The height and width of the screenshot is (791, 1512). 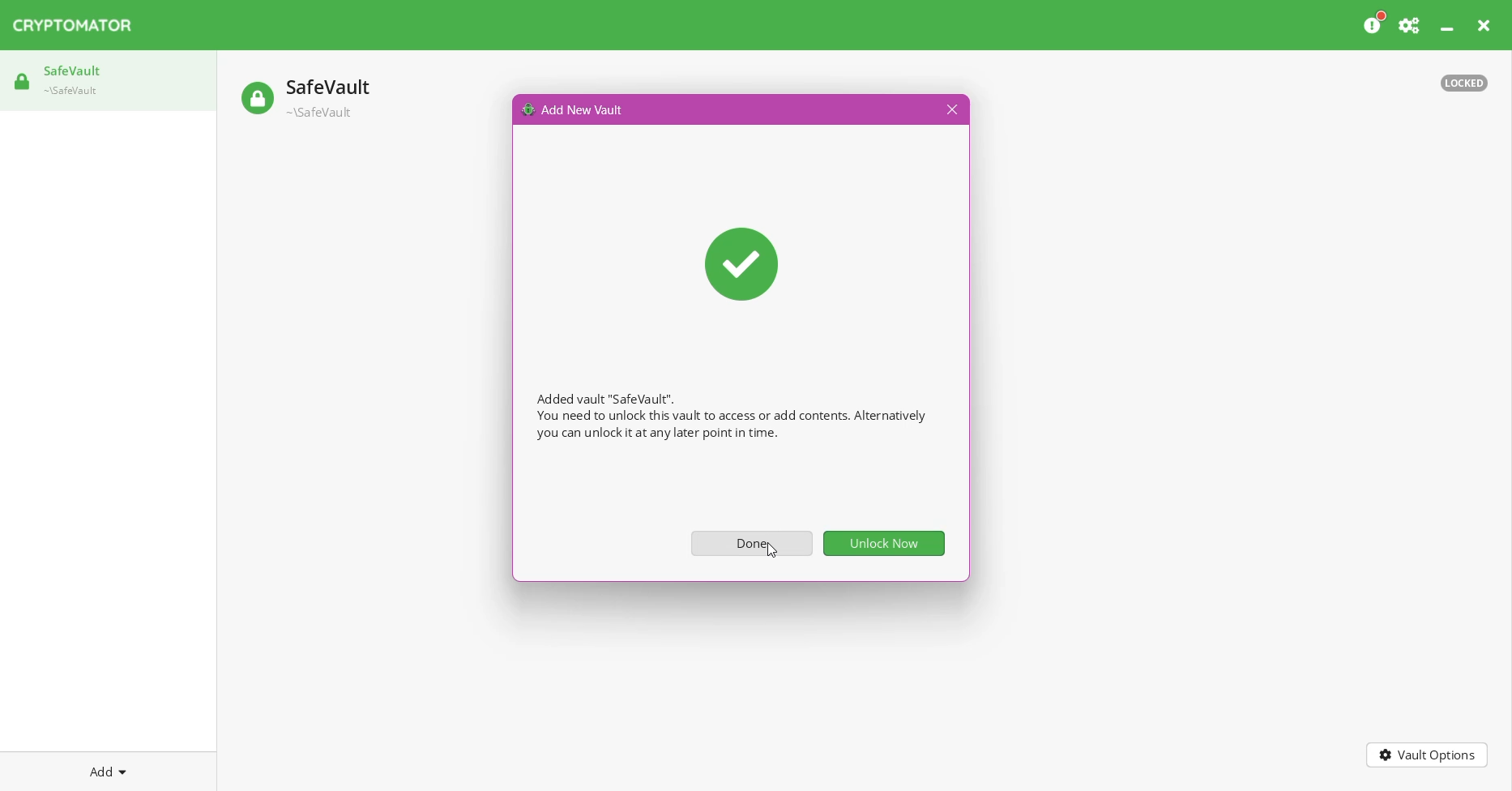 What do you see at coordinates (950, 110) in the screenshot?
I see `Close` at bounding box center [950, 110].